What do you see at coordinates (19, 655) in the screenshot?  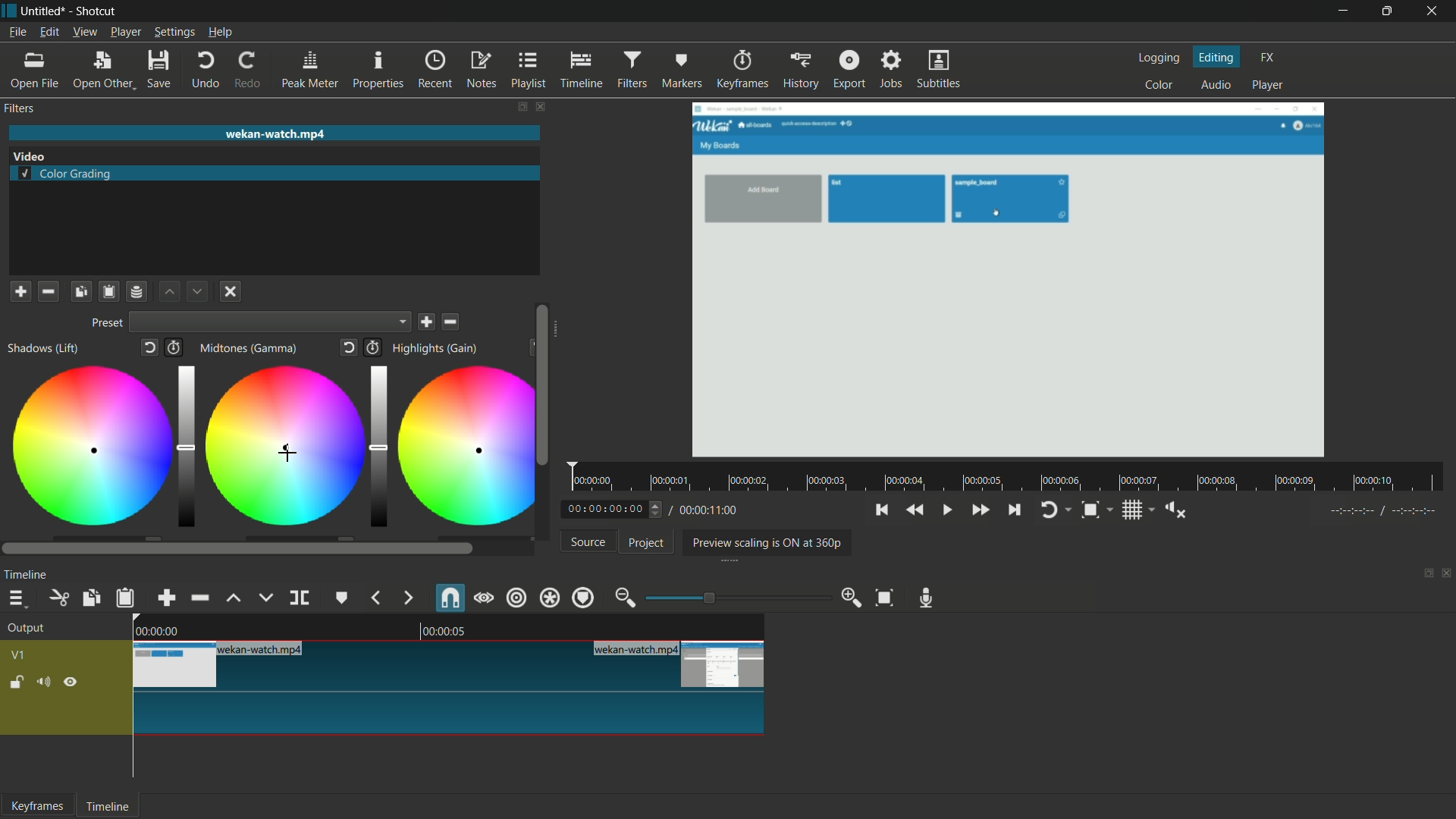 I see `v1` at bounding box center [19, 655].